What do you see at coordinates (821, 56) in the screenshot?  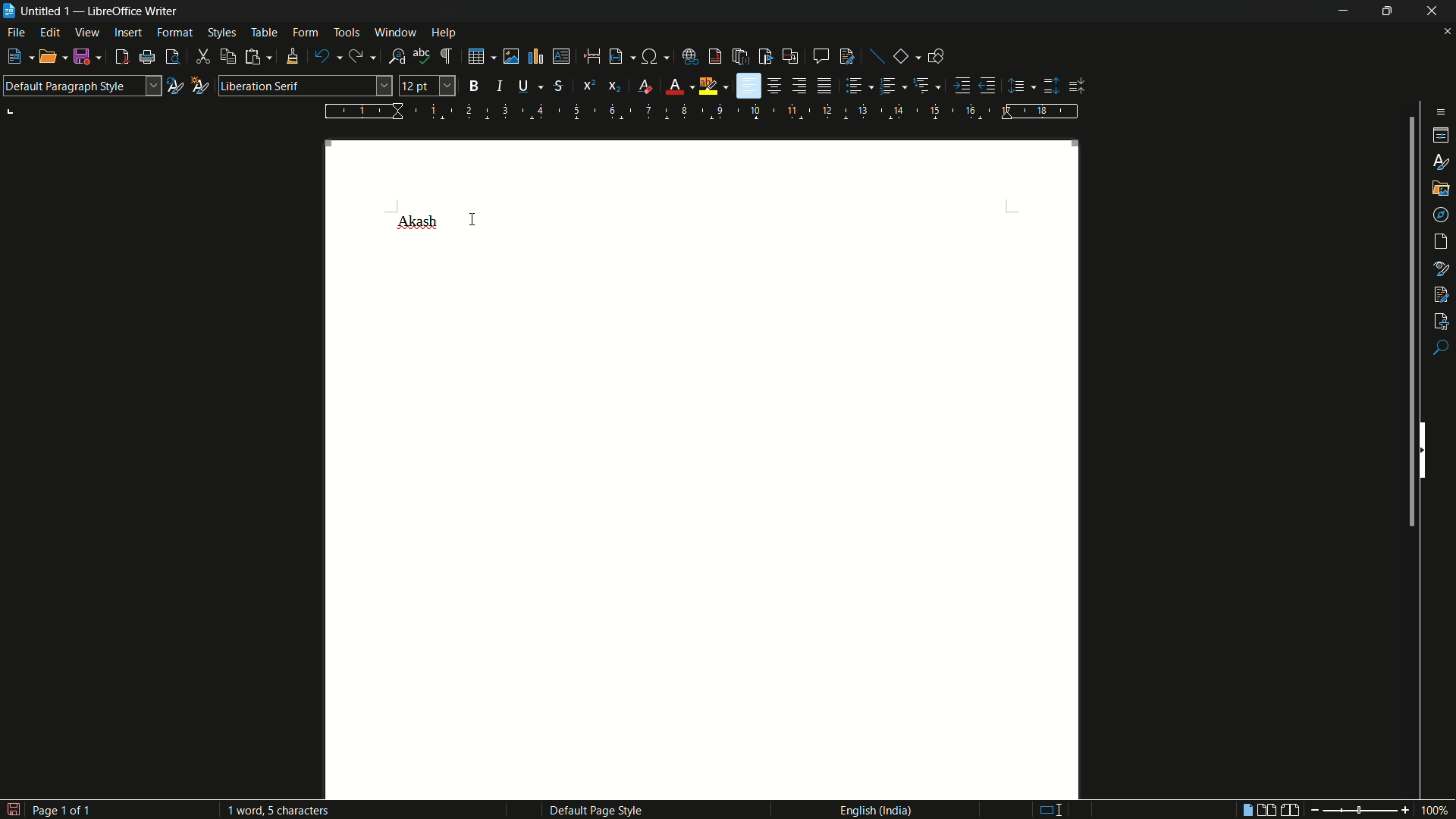 I see `insert comment` at bounding box center [821, 56].